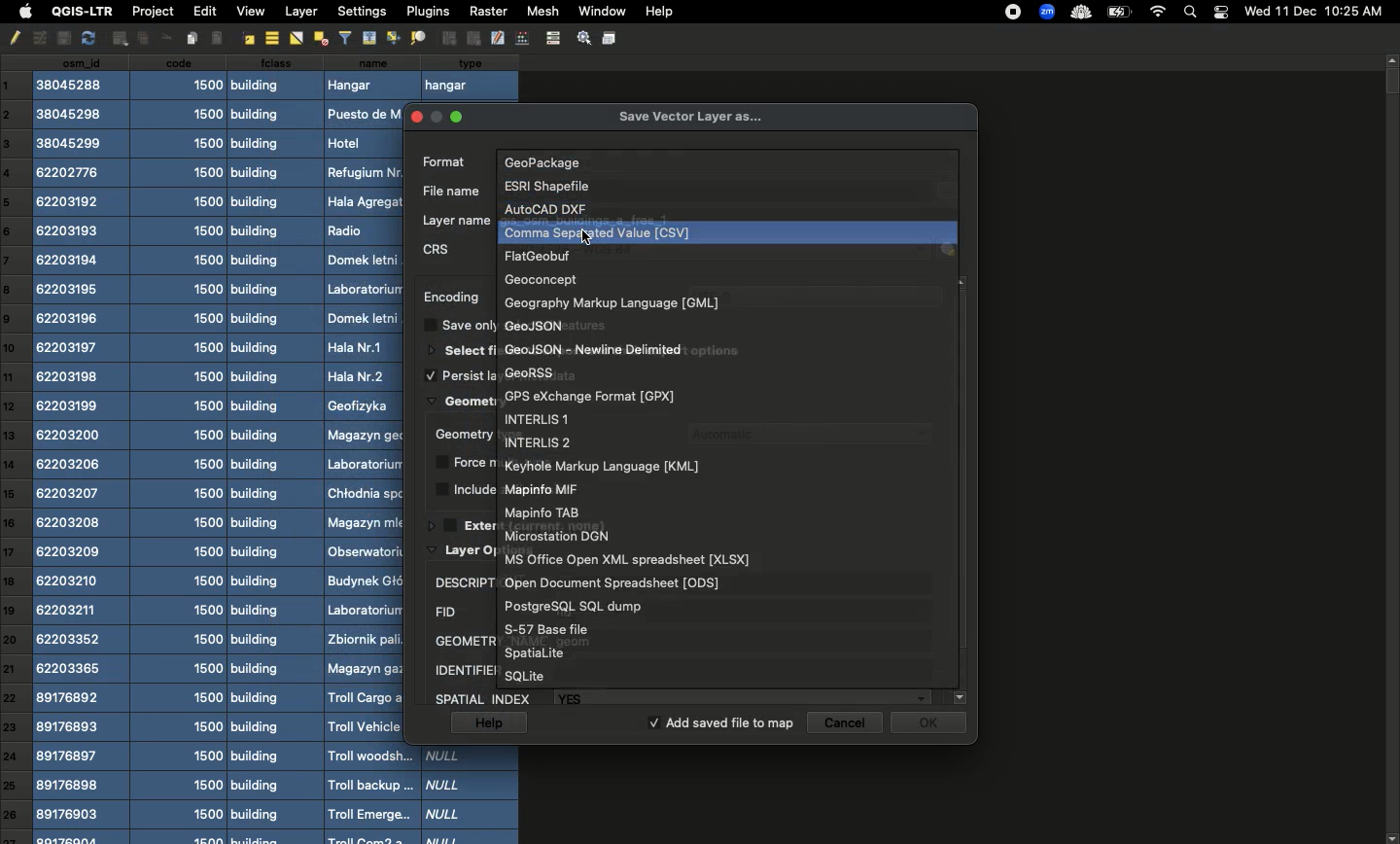  Describe the element at coordinates (366, 449) in the screenshot. I see `Name` at that location.